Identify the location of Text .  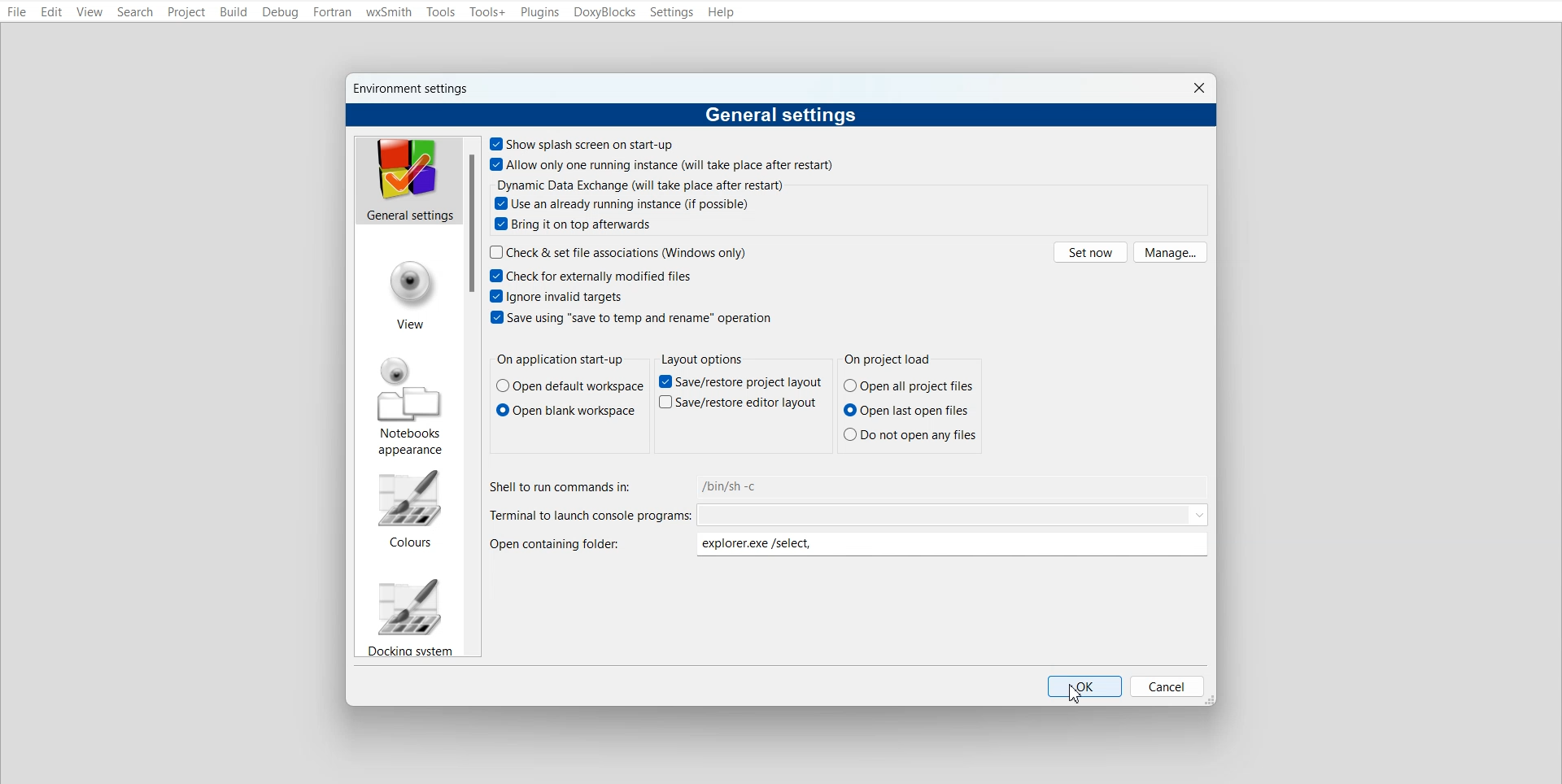
(641, 185).